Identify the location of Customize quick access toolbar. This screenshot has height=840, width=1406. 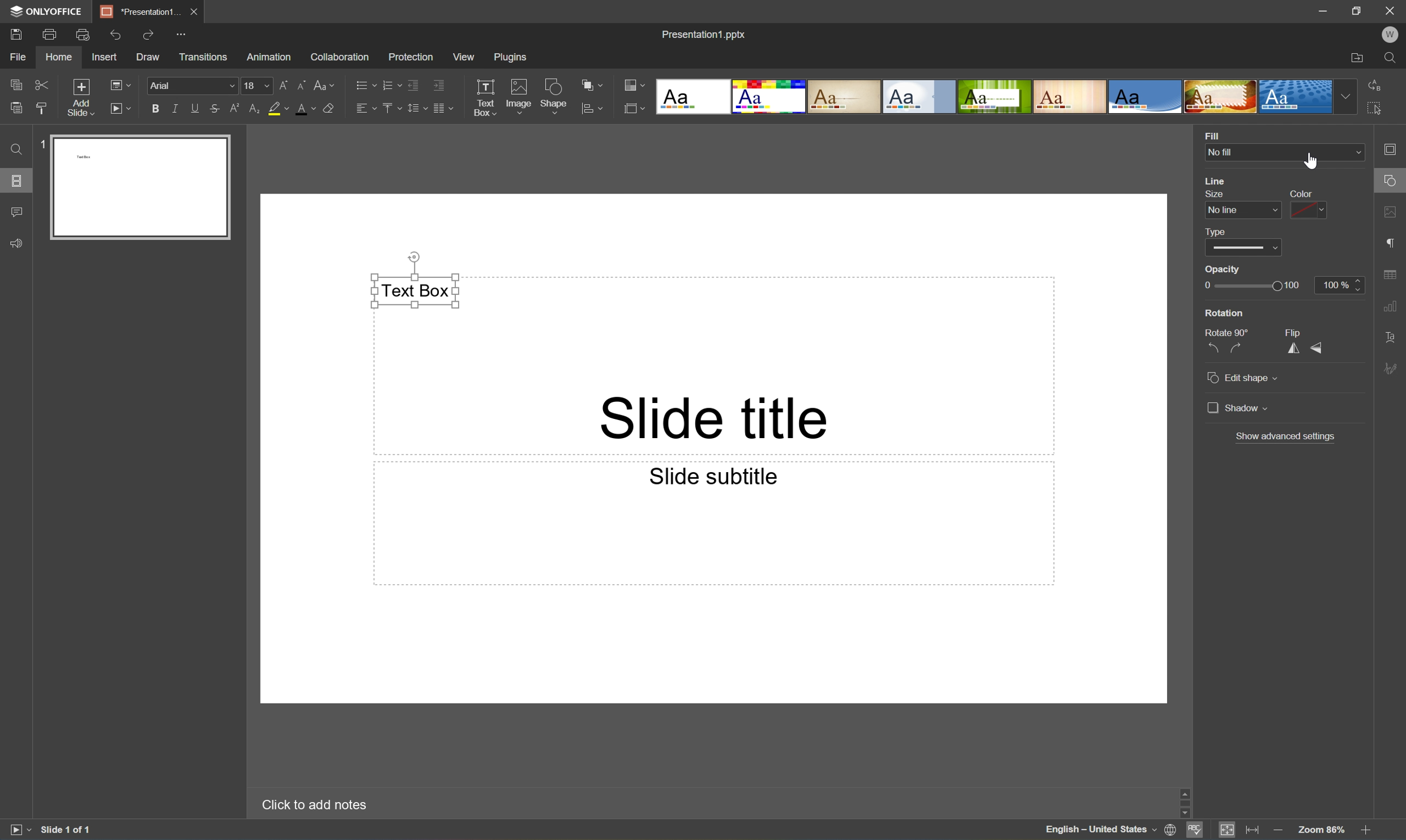
(182, 33).